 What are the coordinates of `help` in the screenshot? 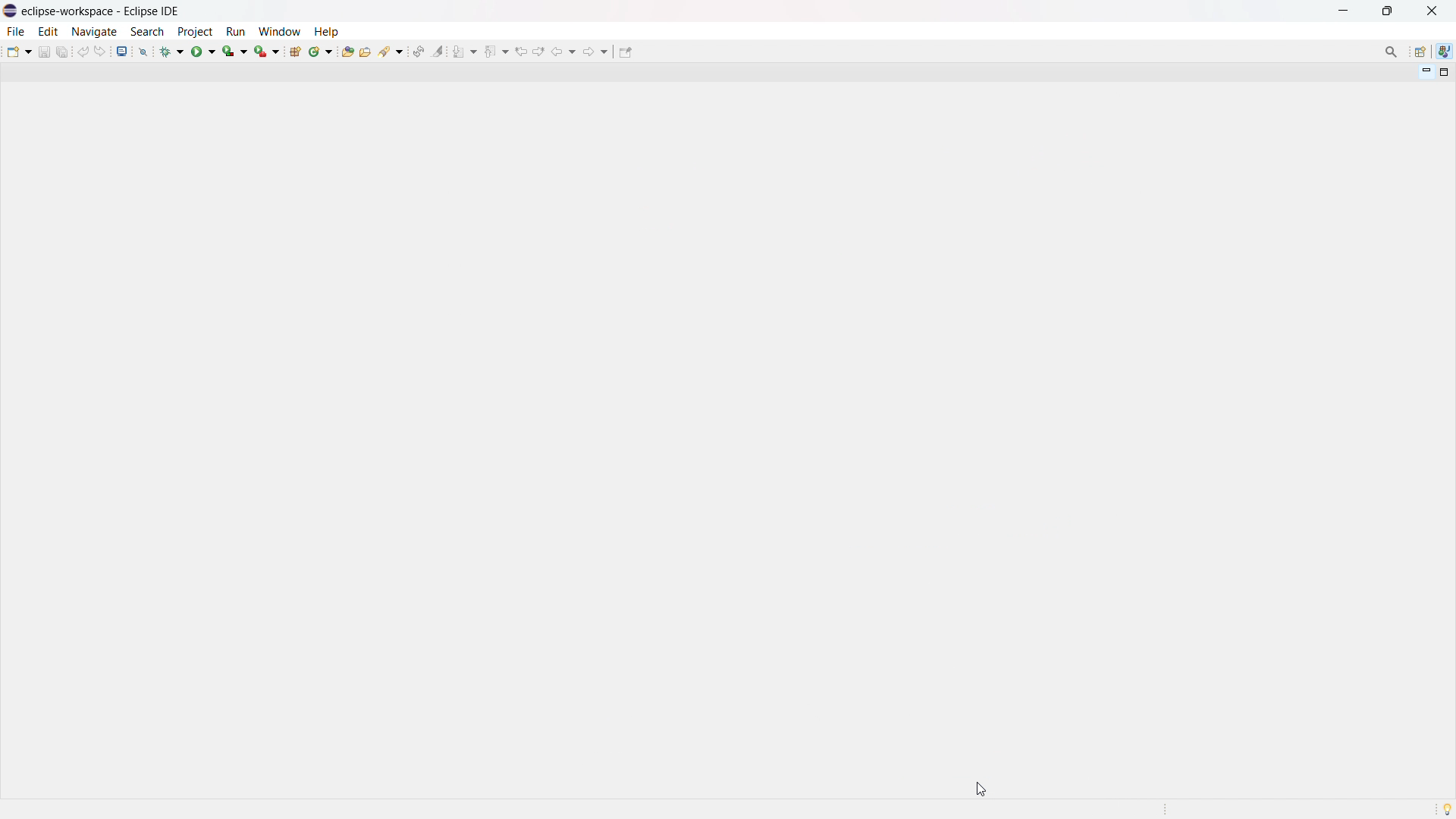 It's located at (326, 30).